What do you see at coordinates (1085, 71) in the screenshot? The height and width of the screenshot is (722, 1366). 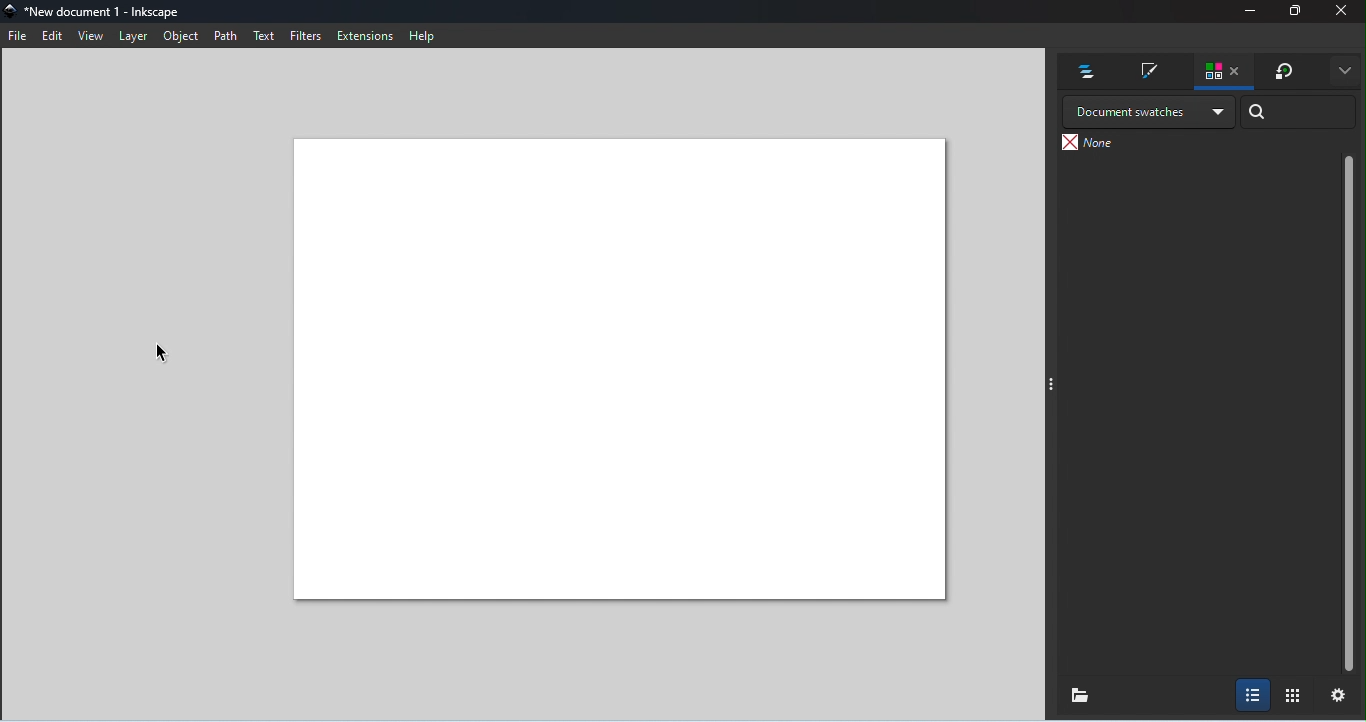 I see `Layers and objects` at bounding box center [1085, 71].